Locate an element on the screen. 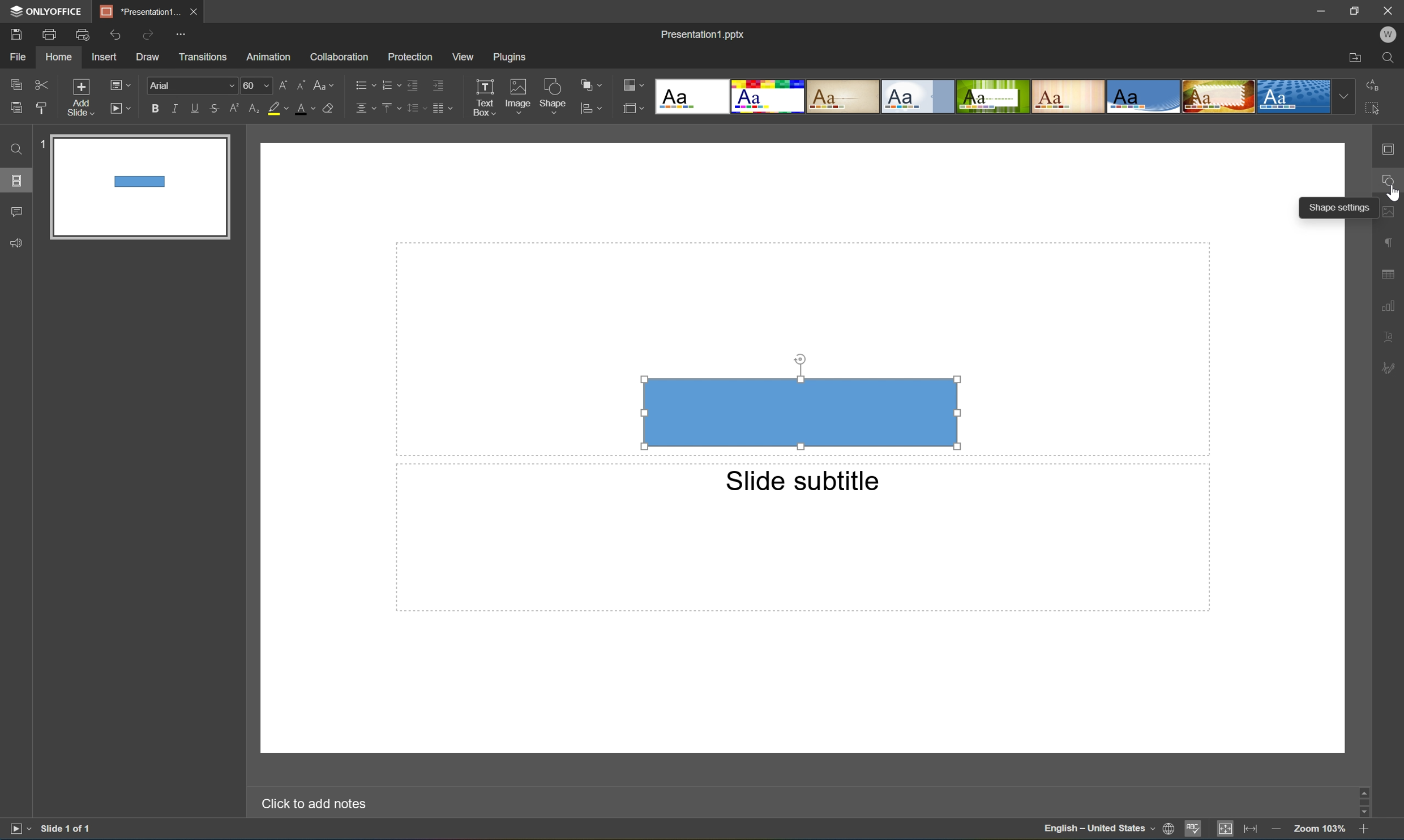 This screenshot has width=1404, height=840. Start slideshow is located at coordinates (122, 109).